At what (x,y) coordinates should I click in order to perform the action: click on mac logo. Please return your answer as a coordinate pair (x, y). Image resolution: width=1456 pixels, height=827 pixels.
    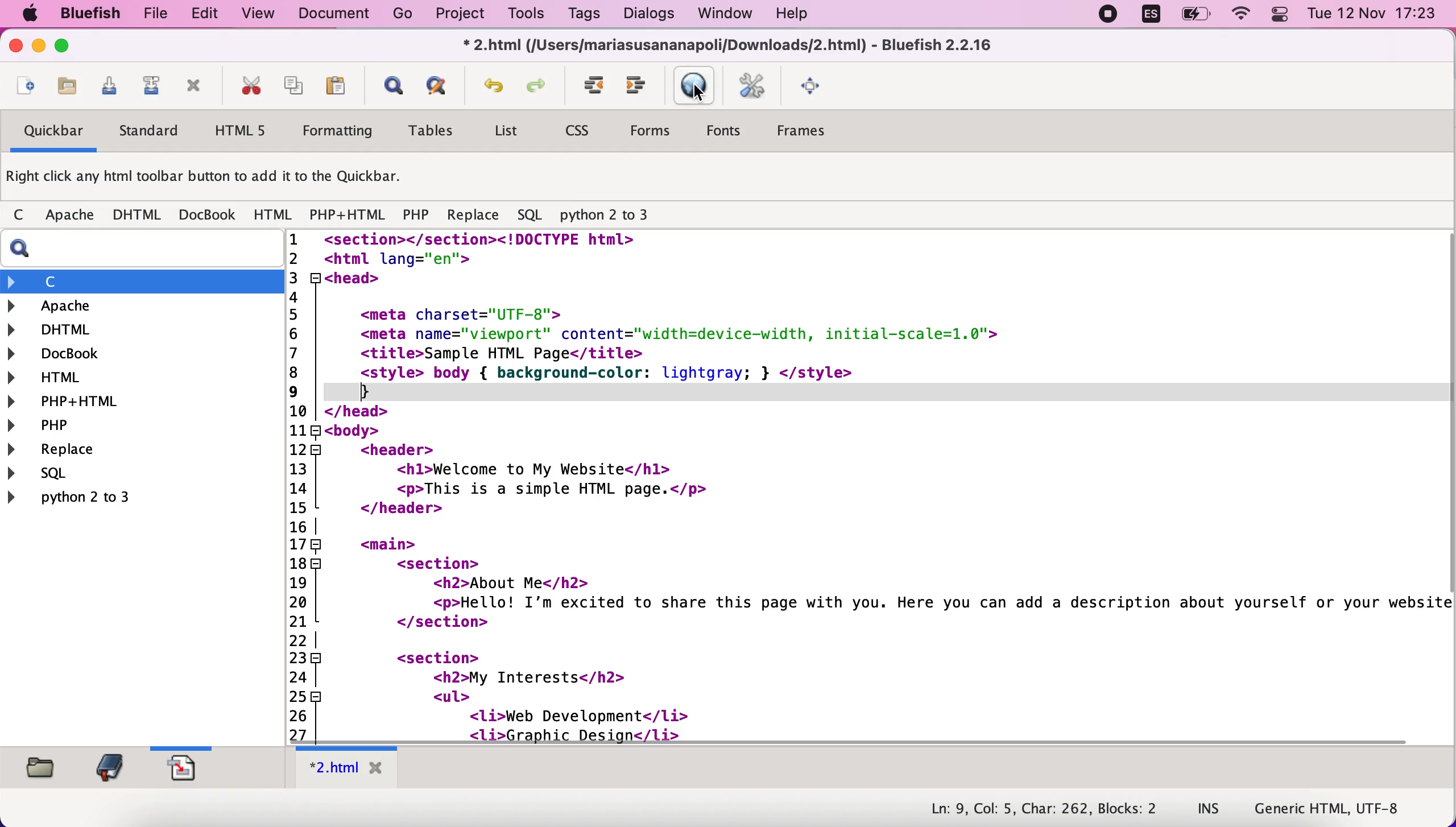
    Looking at the image, I should click on (35, 14).